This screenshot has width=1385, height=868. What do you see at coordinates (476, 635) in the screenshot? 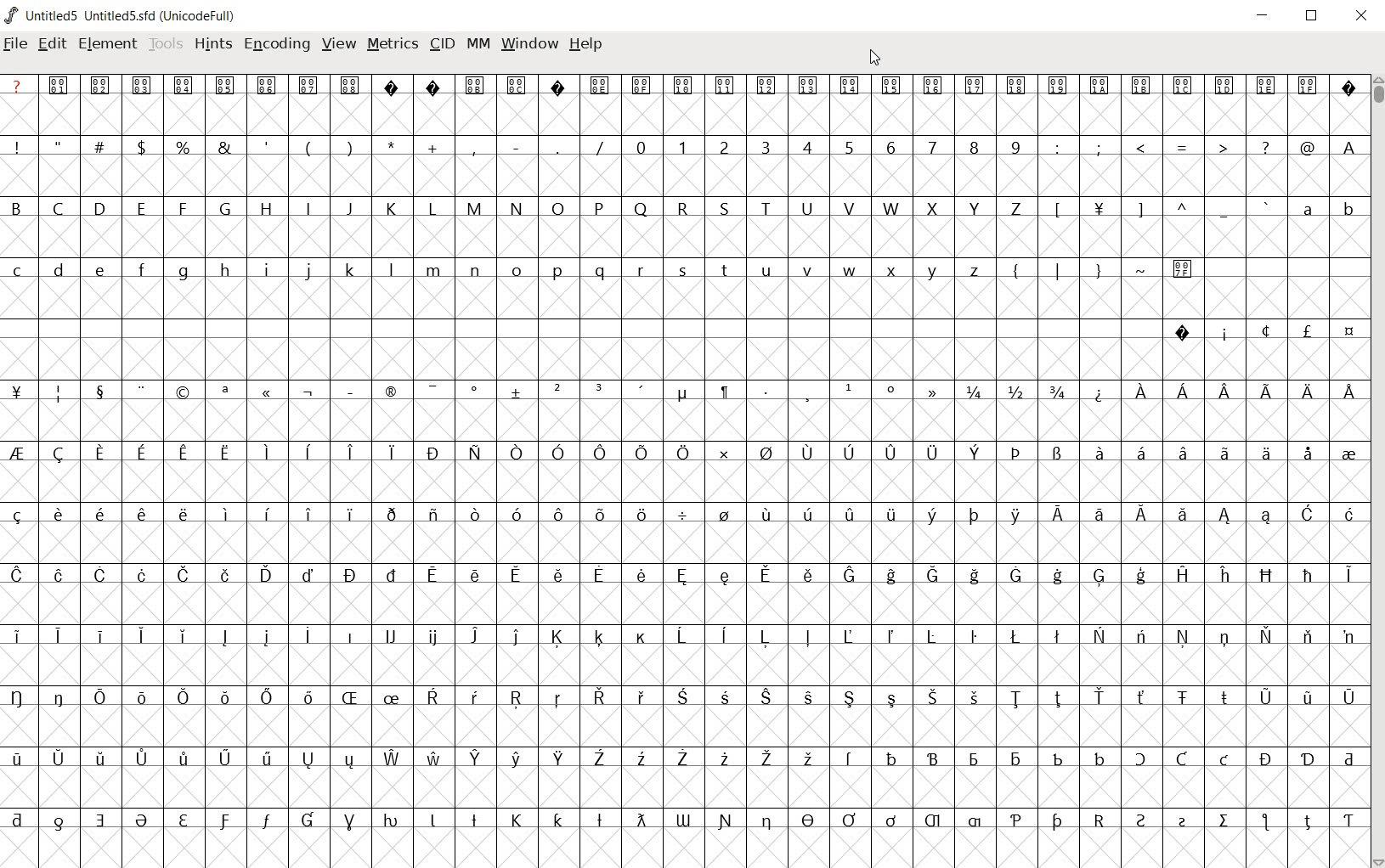
I see `Symbol` at bounding box center [476, 635].